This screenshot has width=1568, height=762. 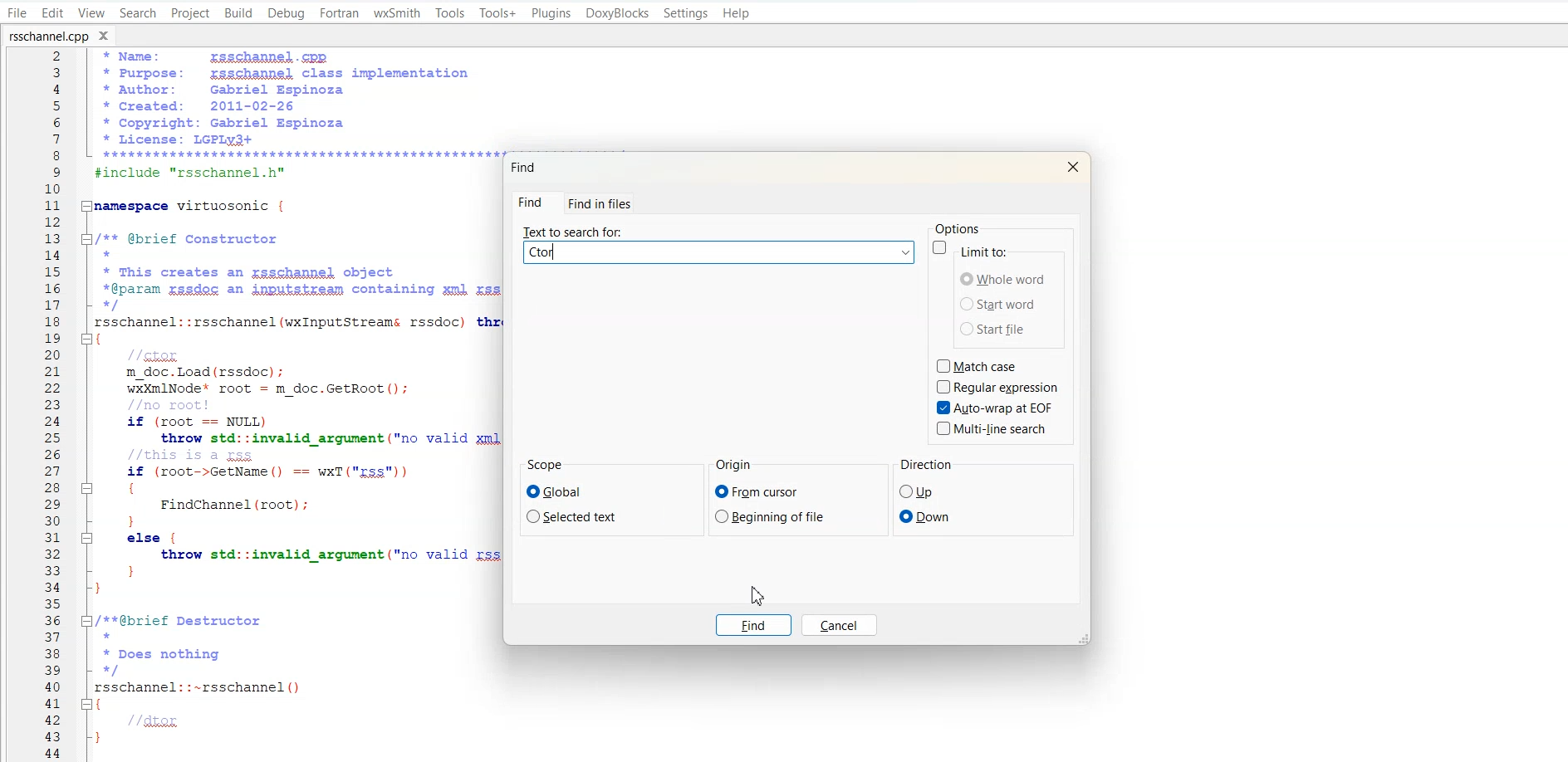 What do you see at coordinates (87, 338) in the screenshot?
I see `Collapse` at bounding box center [87, 338].